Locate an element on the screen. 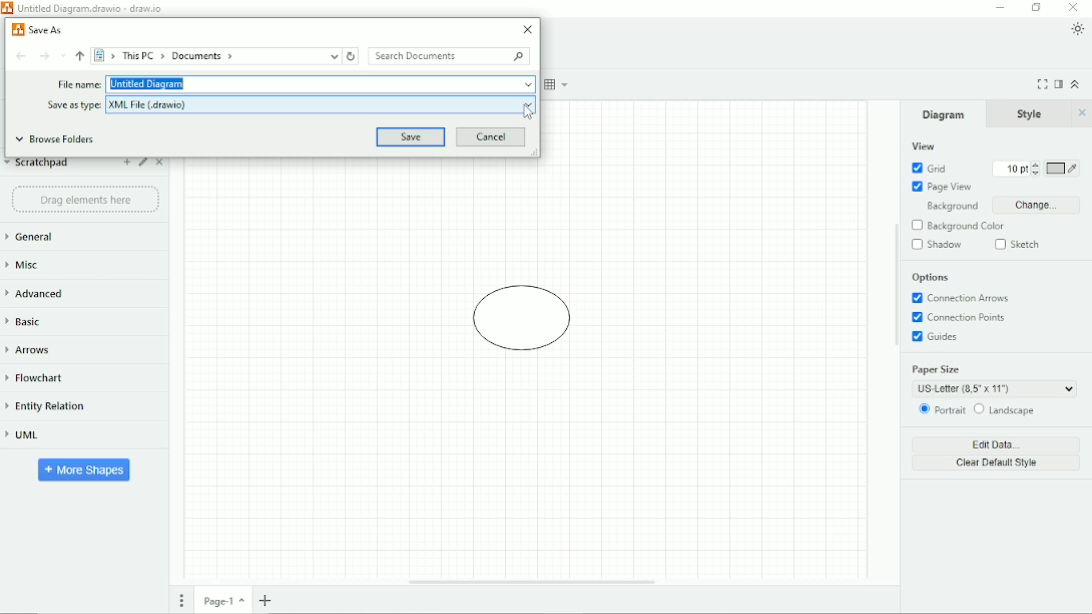 The width and height of the screenshot is (1092, 614). Edit is located at coordinates (143, 163).